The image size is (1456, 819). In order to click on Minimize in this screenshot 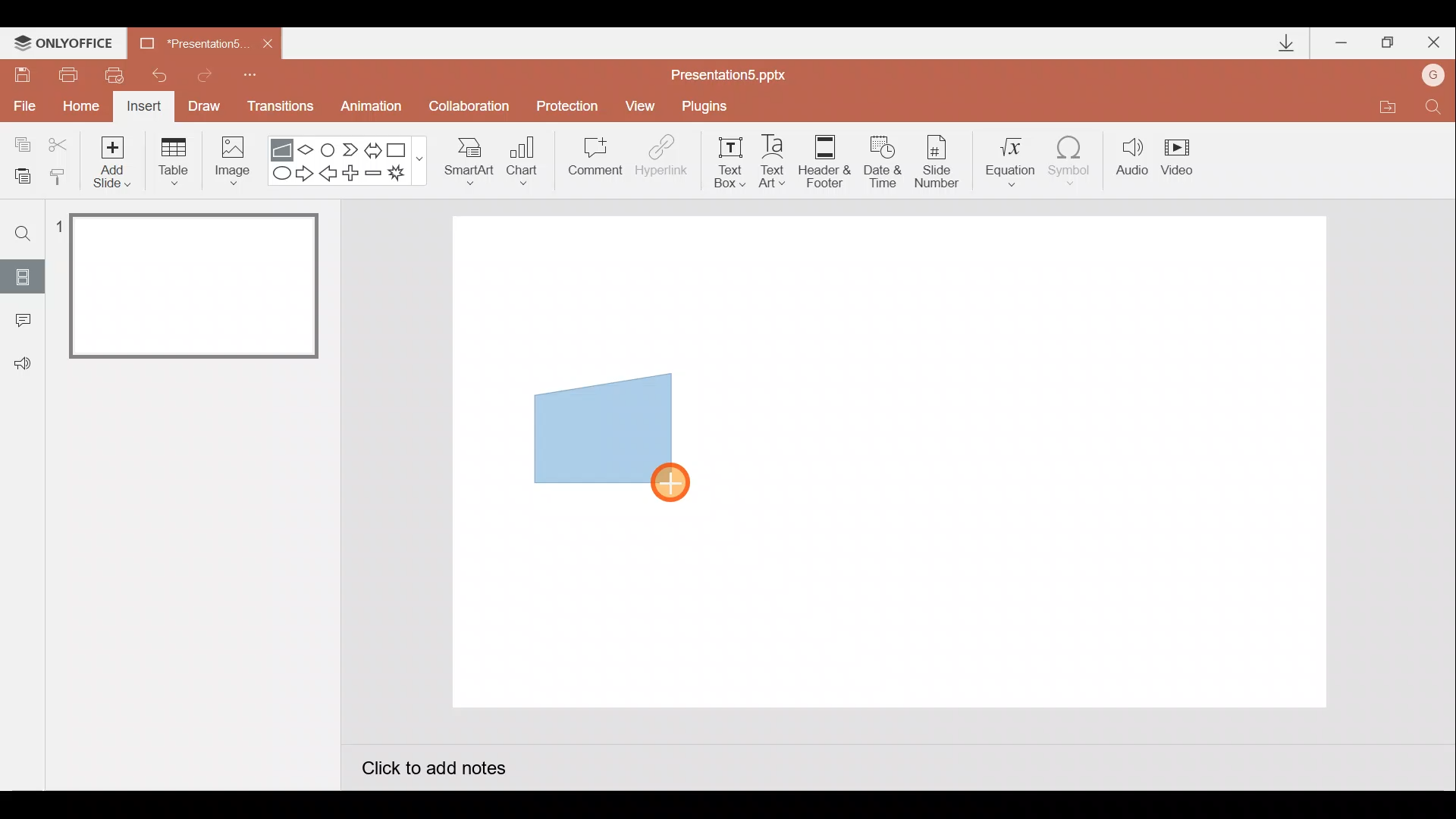, I will do `click(1343, 44)`.